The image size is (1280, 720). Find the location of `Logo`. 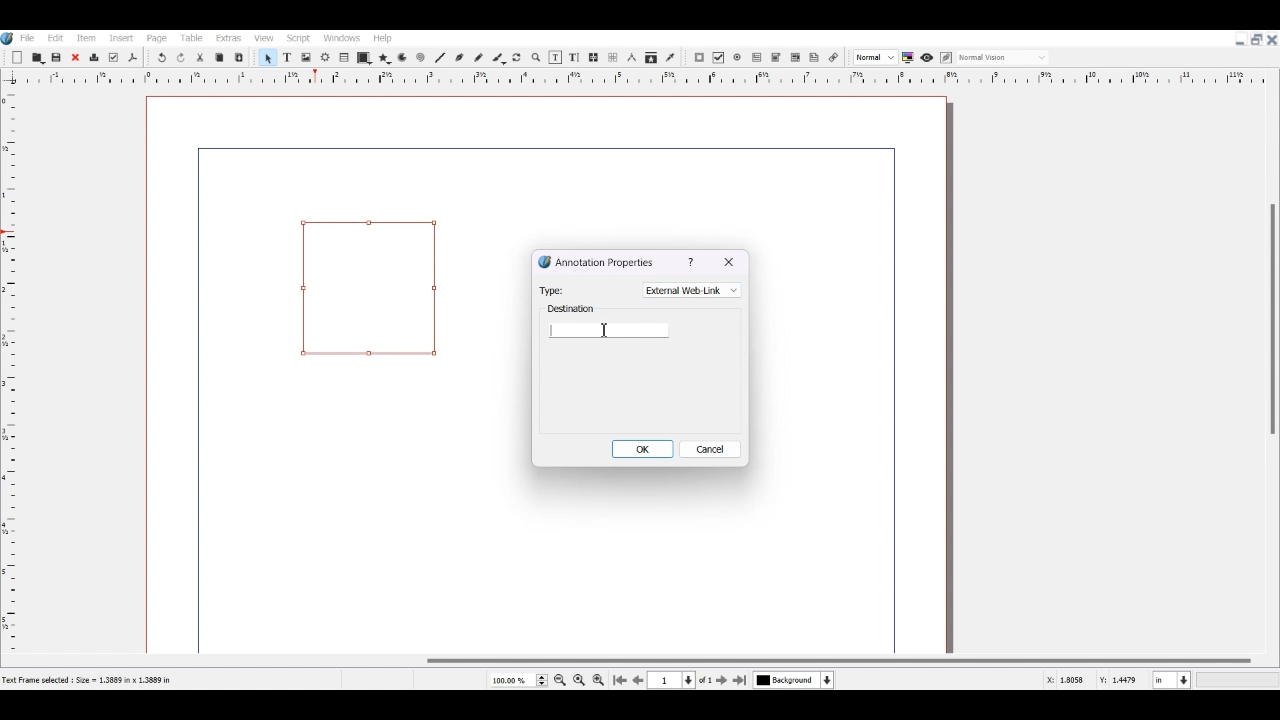

Logo is located at coordinates (8, 38).